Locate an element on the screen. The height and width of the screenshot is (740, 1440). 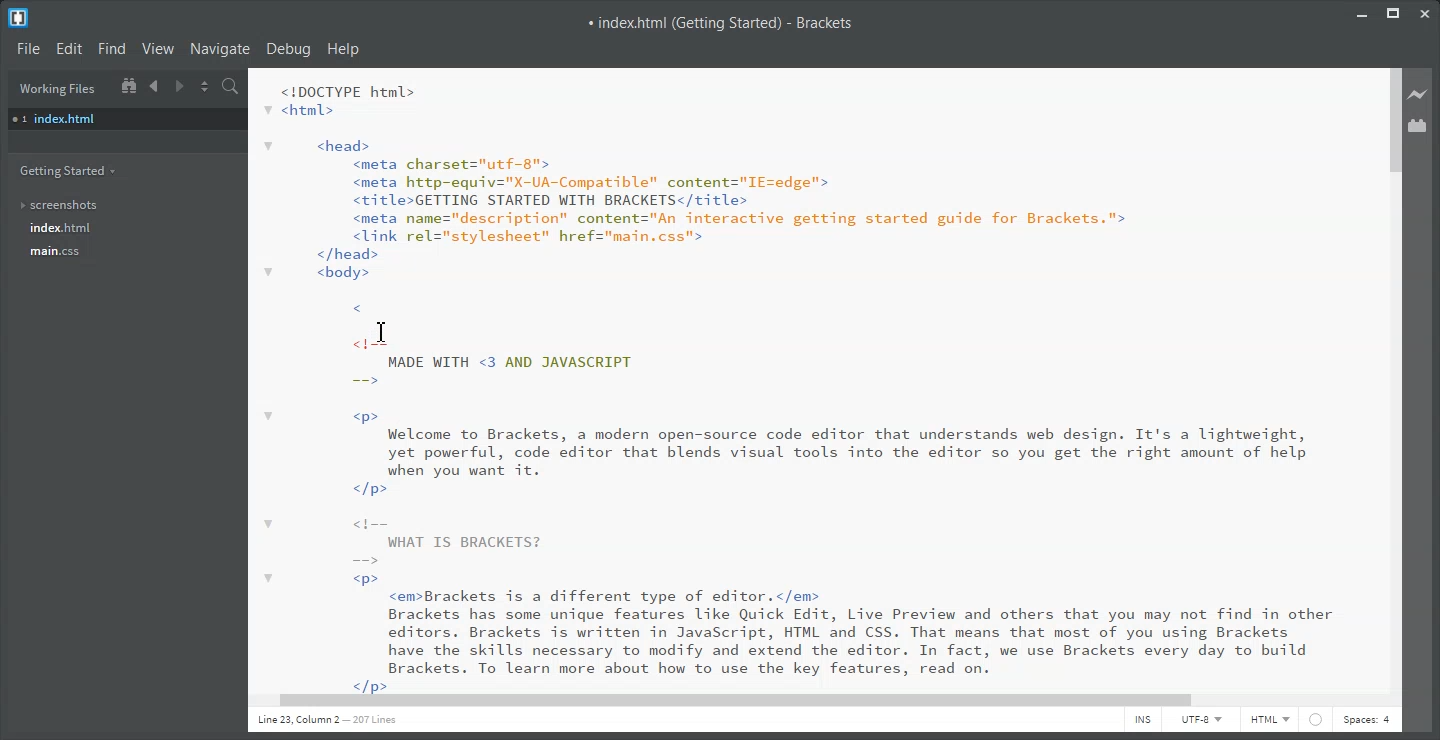
Working Files is located at coordinates (57, 89).